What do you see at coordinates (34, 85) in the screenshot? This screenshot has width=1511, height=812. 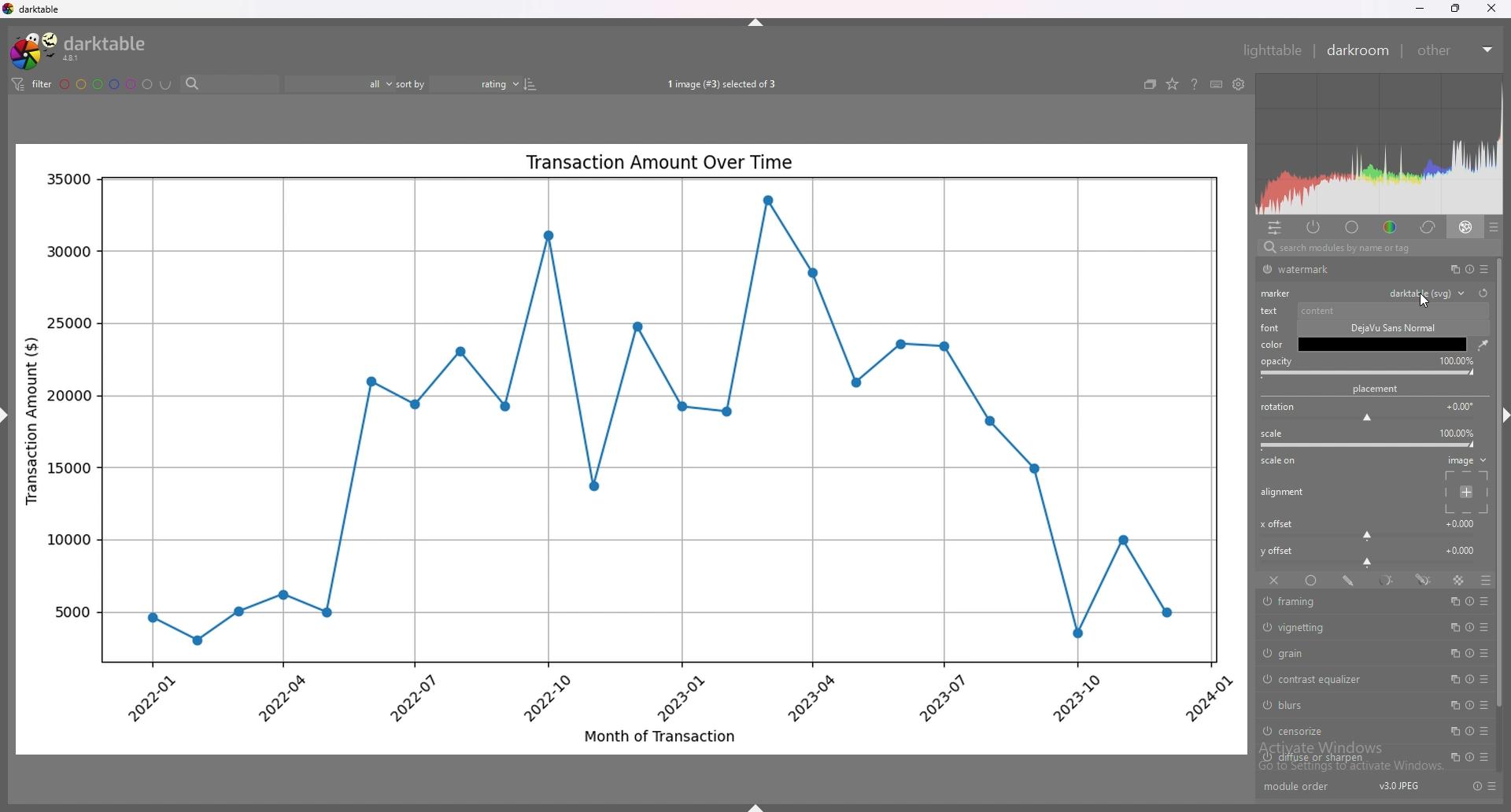 I see `filter` at bounding box center [34, 85].